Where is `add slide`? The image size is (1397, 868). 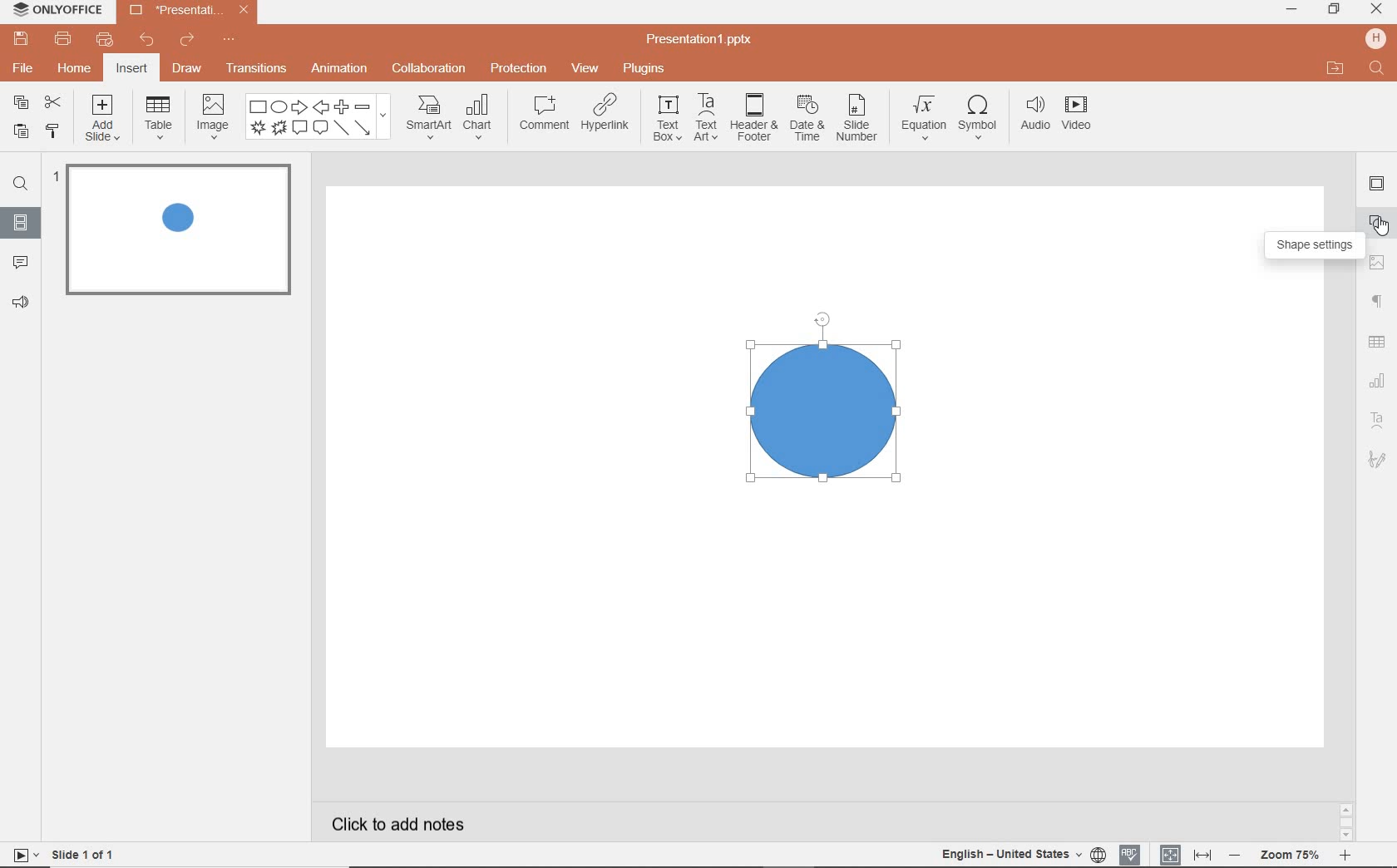 add slide is located at coordinates (104, 119).